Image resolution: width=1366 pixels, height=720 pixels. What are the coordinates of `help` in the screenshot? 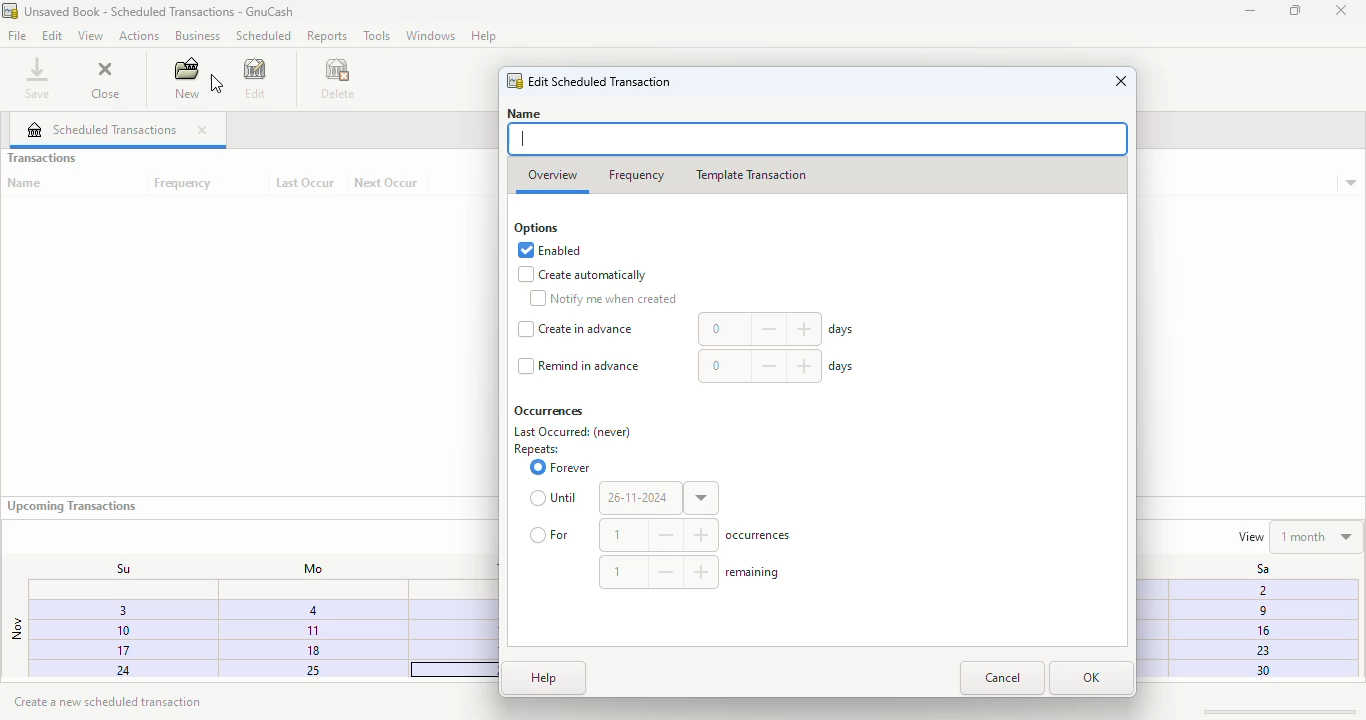 It's located at (483, 35).